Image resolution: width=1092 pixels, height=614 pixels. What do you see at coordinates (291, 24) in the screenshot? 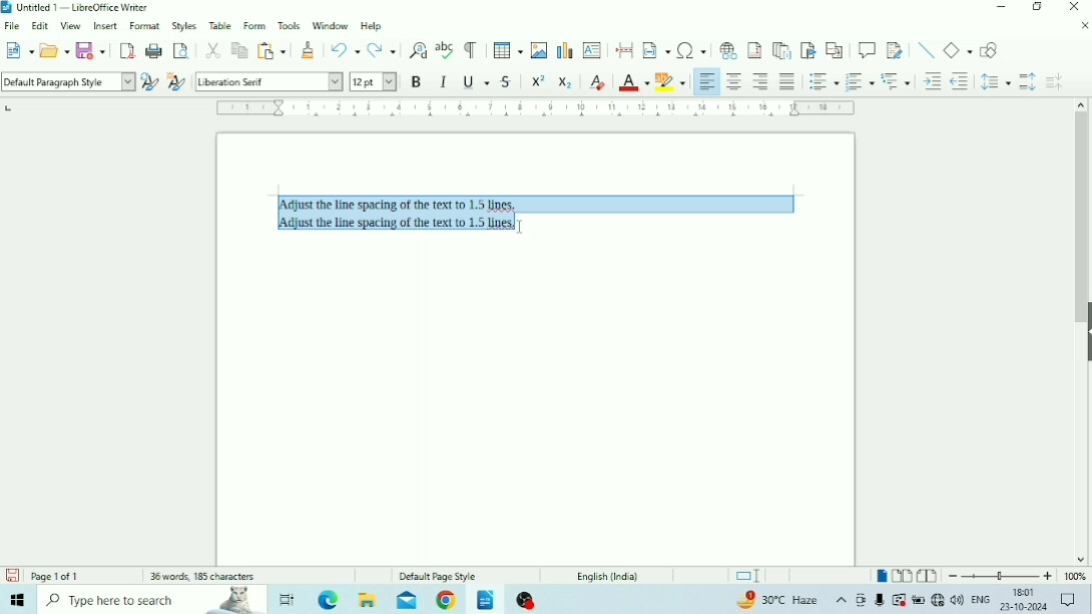
I see `Tools` at bounding box center [291, 24].